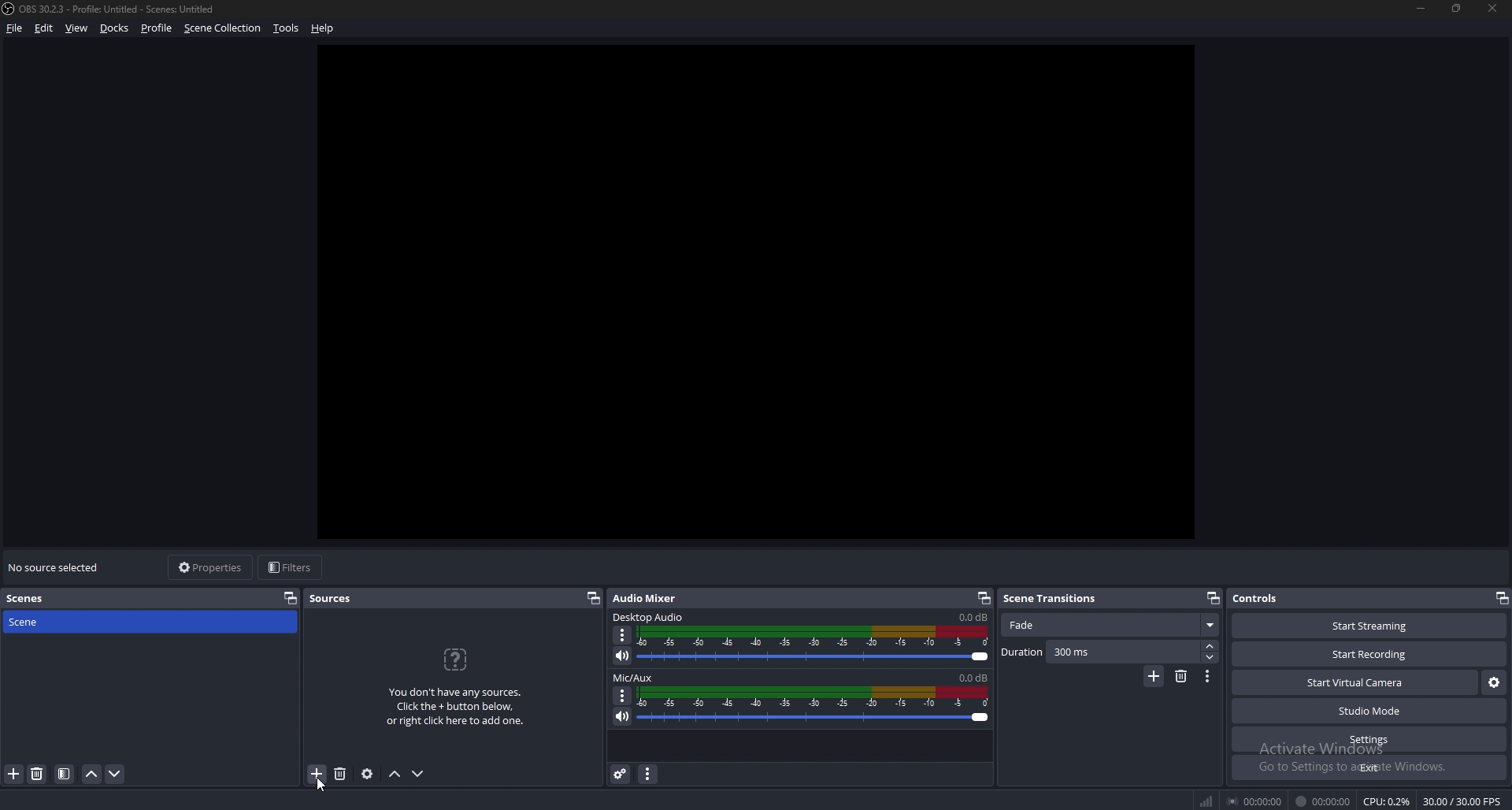  I want to click on Start streaming, so click(1372, 626).